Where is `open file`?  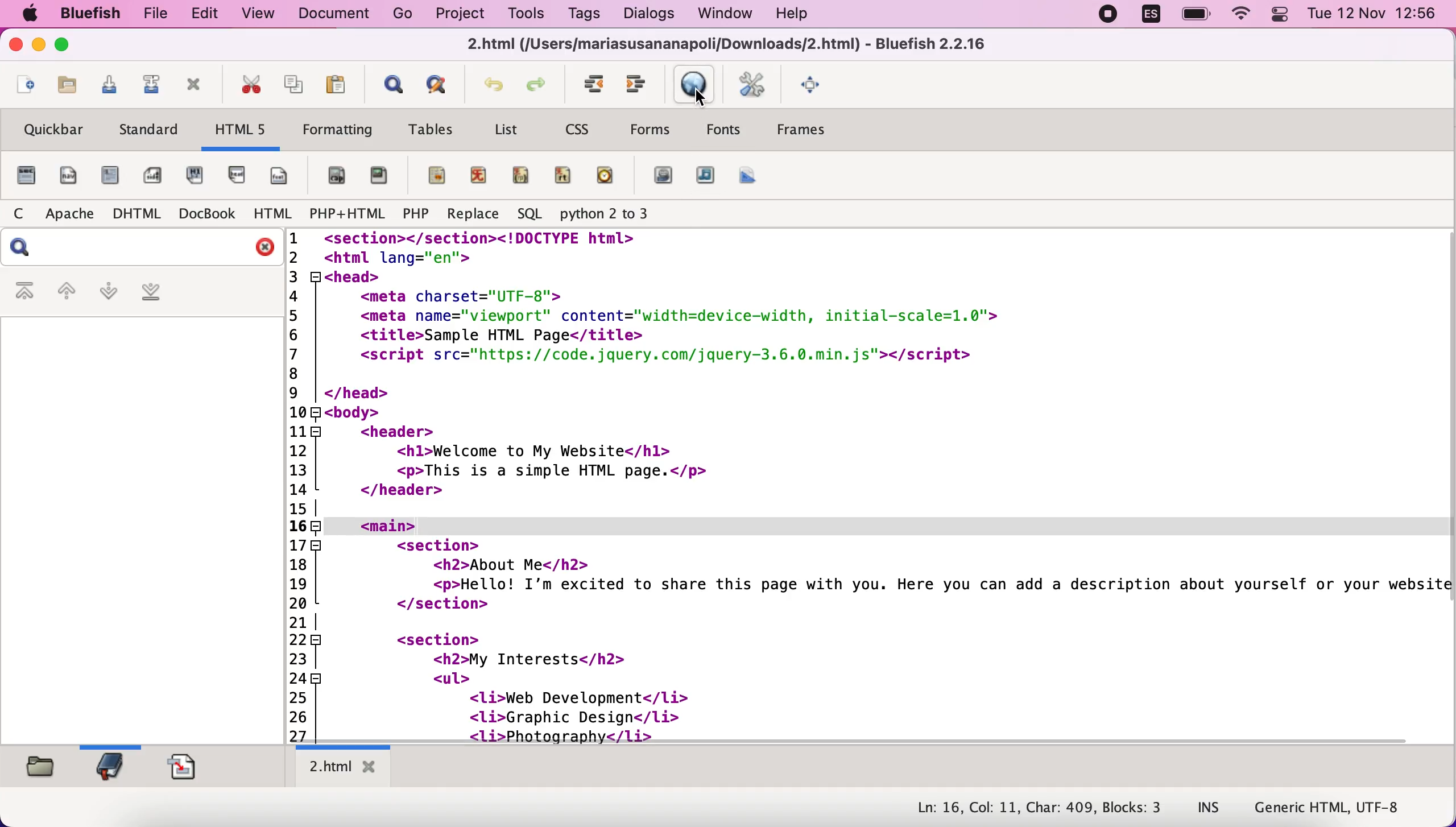
open file is located at coordinates (66, 87).